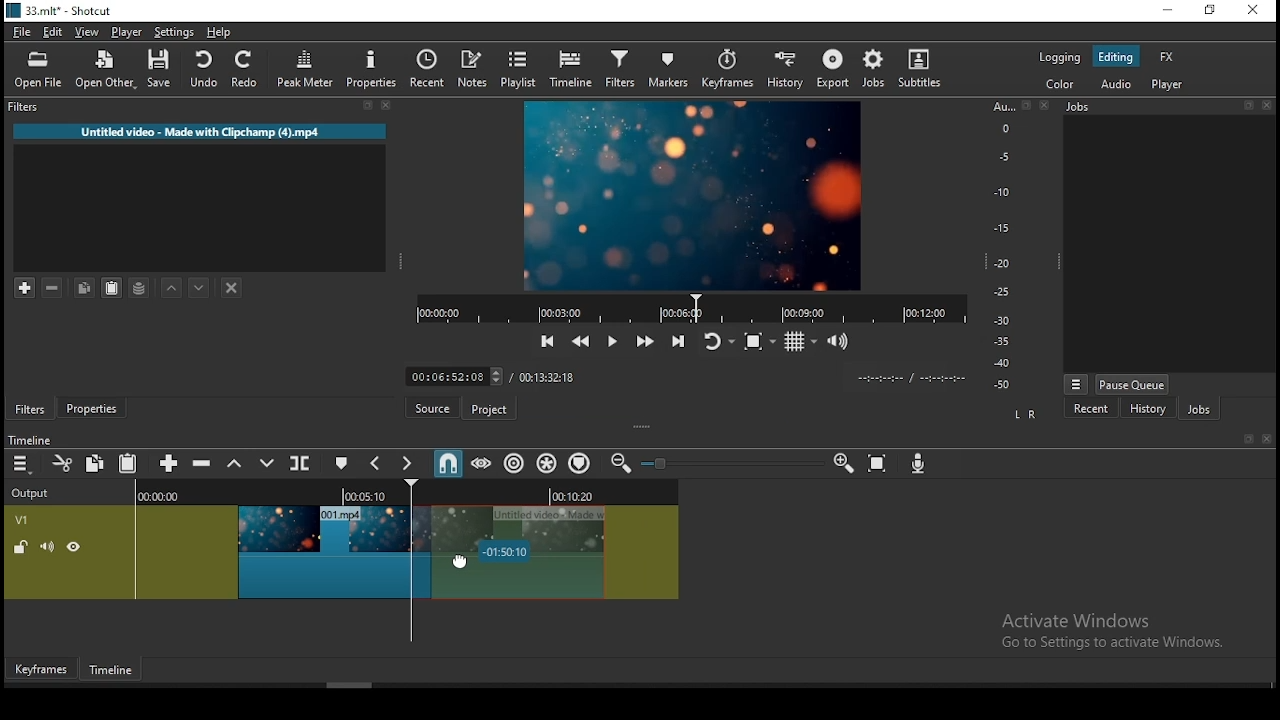 The height and width of the screenshot is (720, 1280). I want to click on snap, so click(451, 464).